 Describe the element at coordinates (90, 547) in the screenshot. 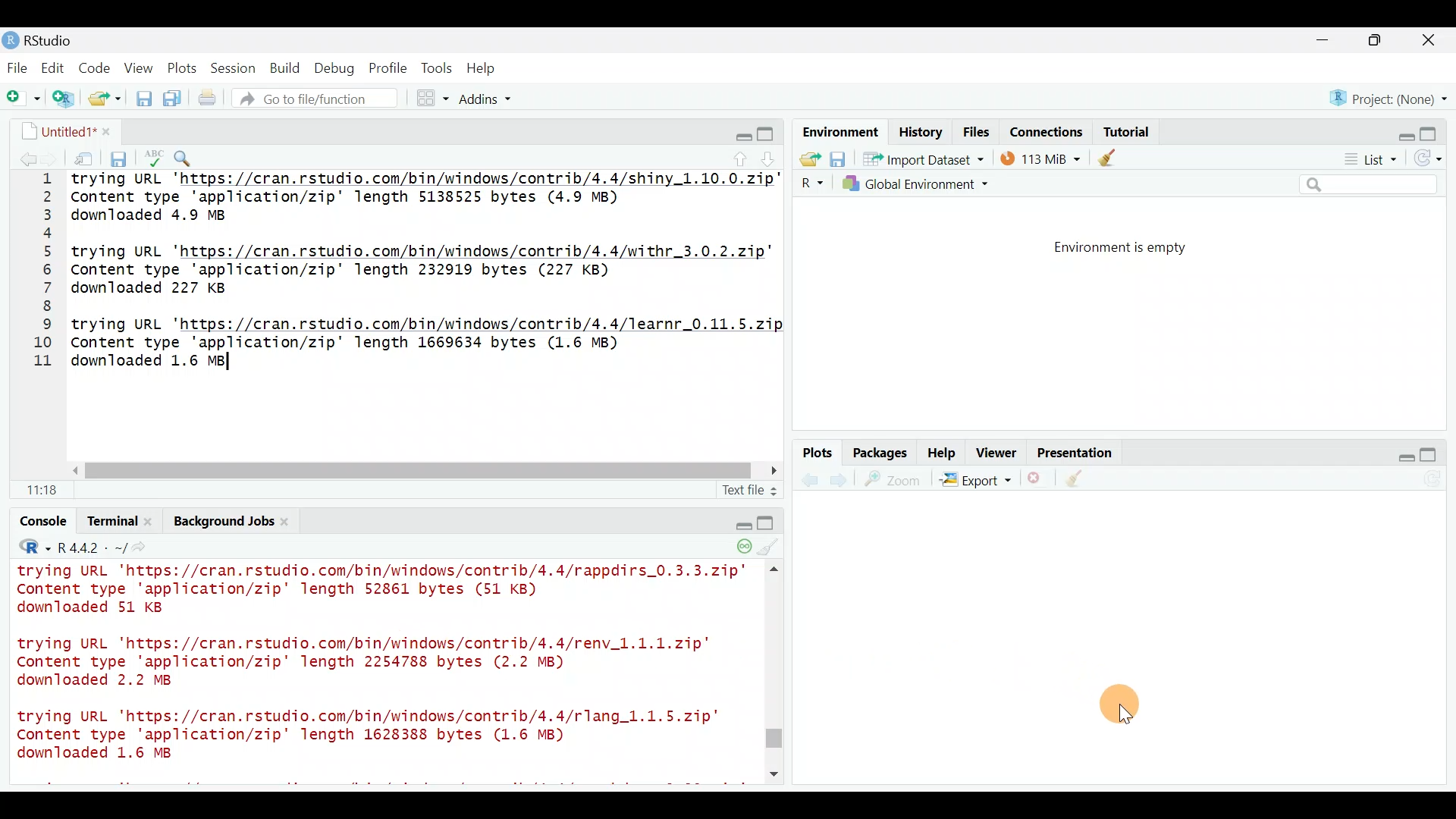

I see `R 4.4.2` at that location.